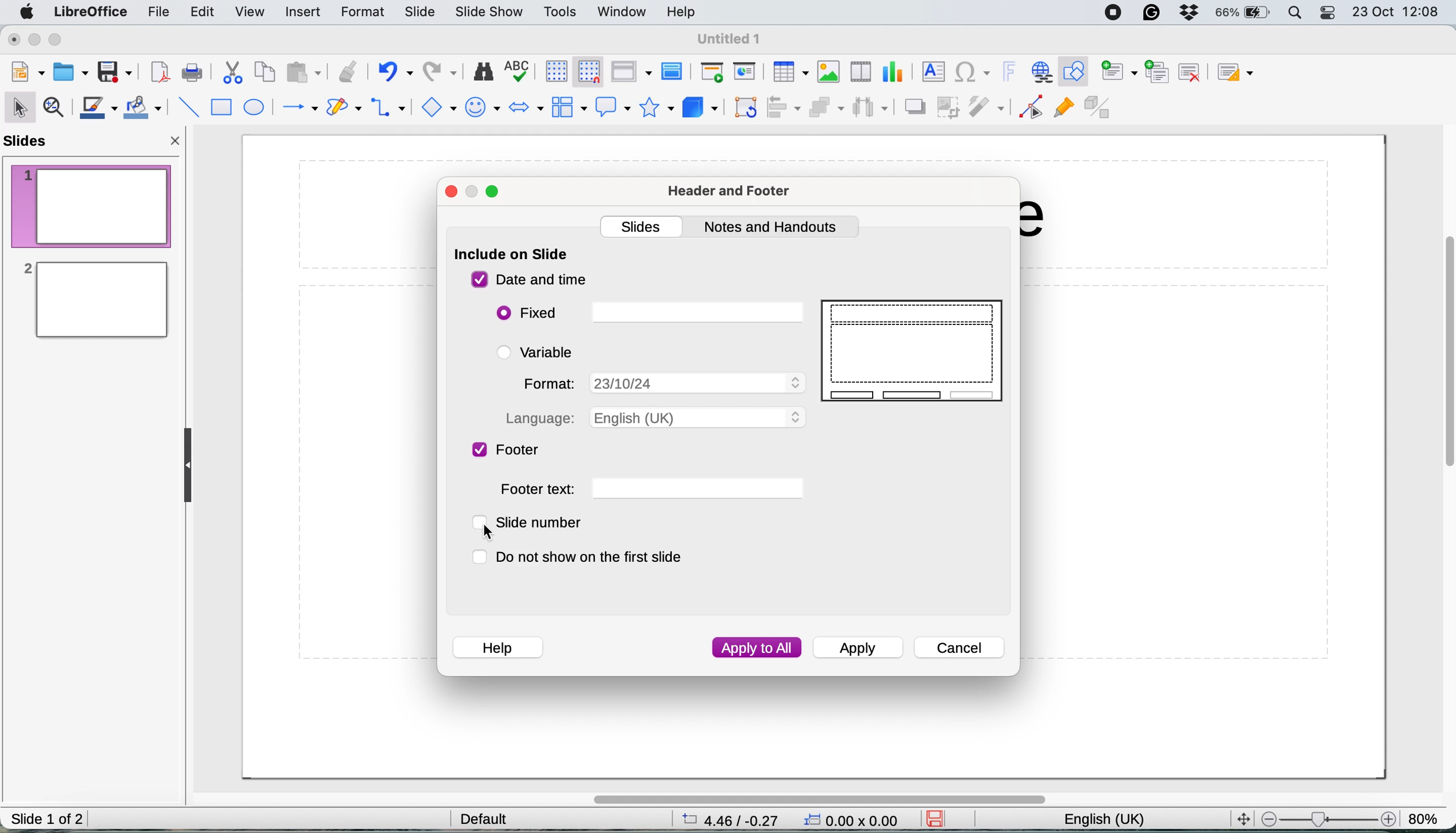  I want to click on snap to grid, so click(584, 70).